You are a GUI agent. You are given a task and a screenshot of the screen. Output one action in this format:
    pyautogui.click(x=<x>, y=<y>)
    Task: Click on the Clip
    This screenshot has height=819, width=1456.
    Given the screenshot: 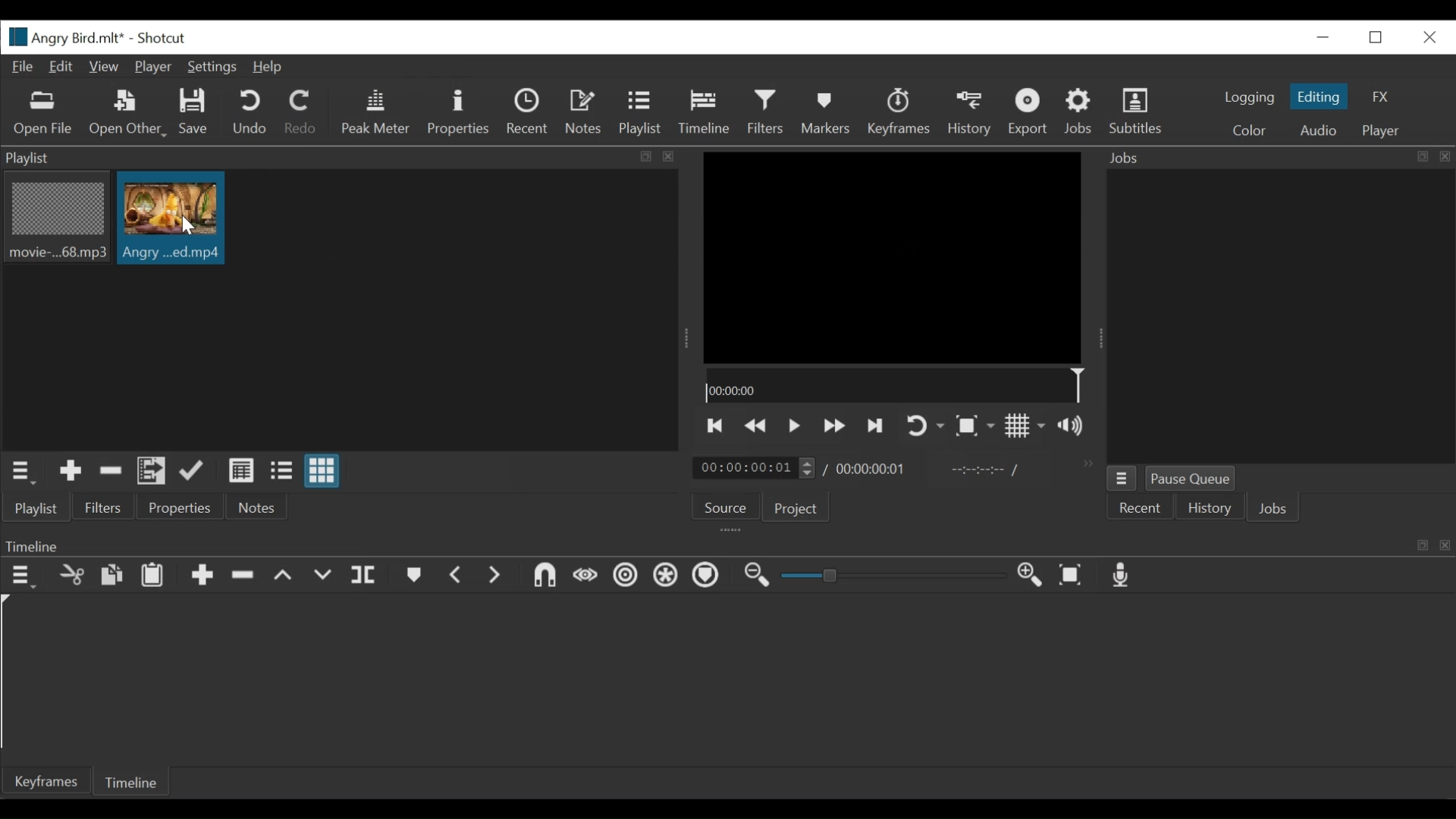 What is the action you would take?
    pyautogui.click(x=171, y=218)
    